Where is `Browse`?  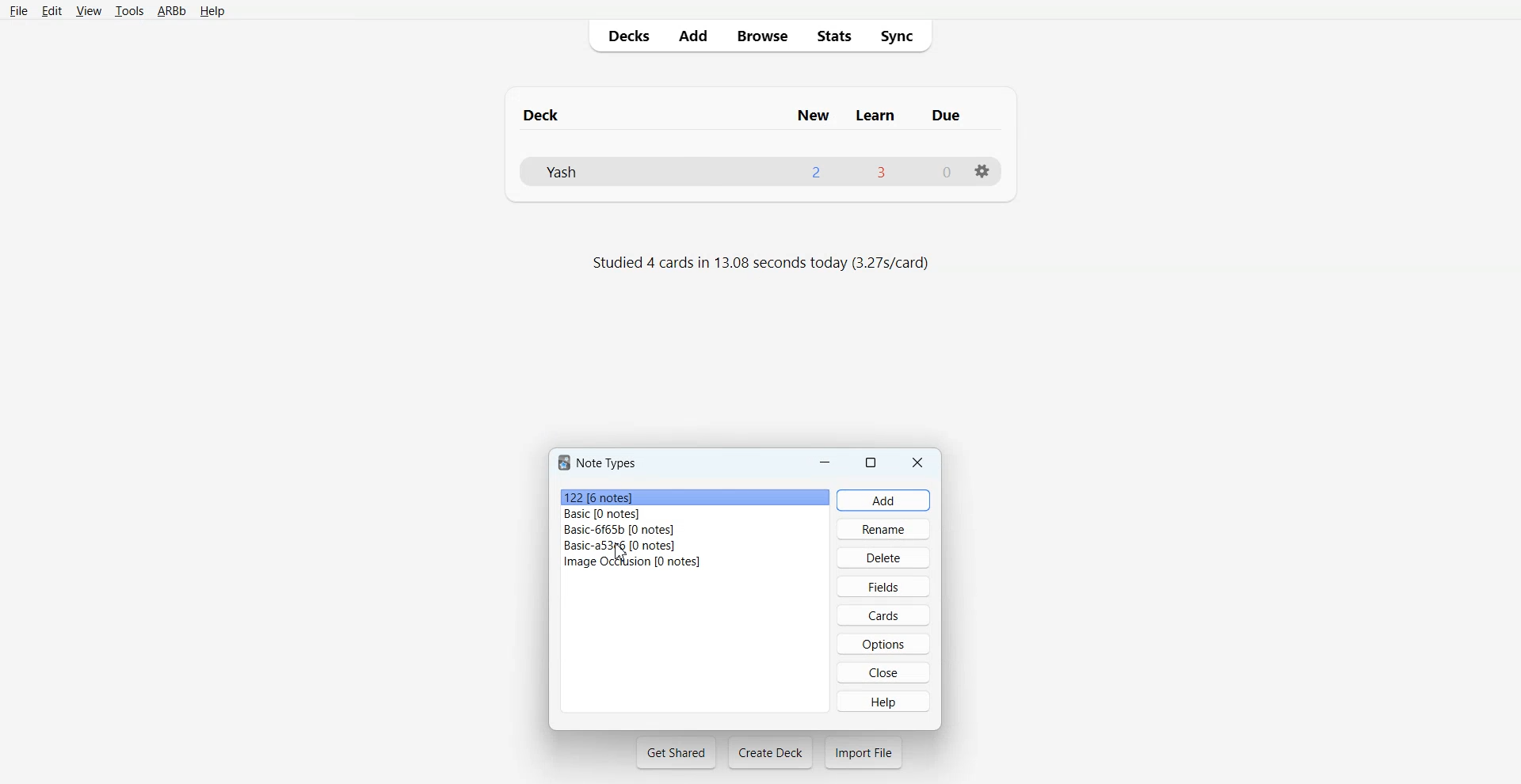 Browse is located at coordinates (761, 35).